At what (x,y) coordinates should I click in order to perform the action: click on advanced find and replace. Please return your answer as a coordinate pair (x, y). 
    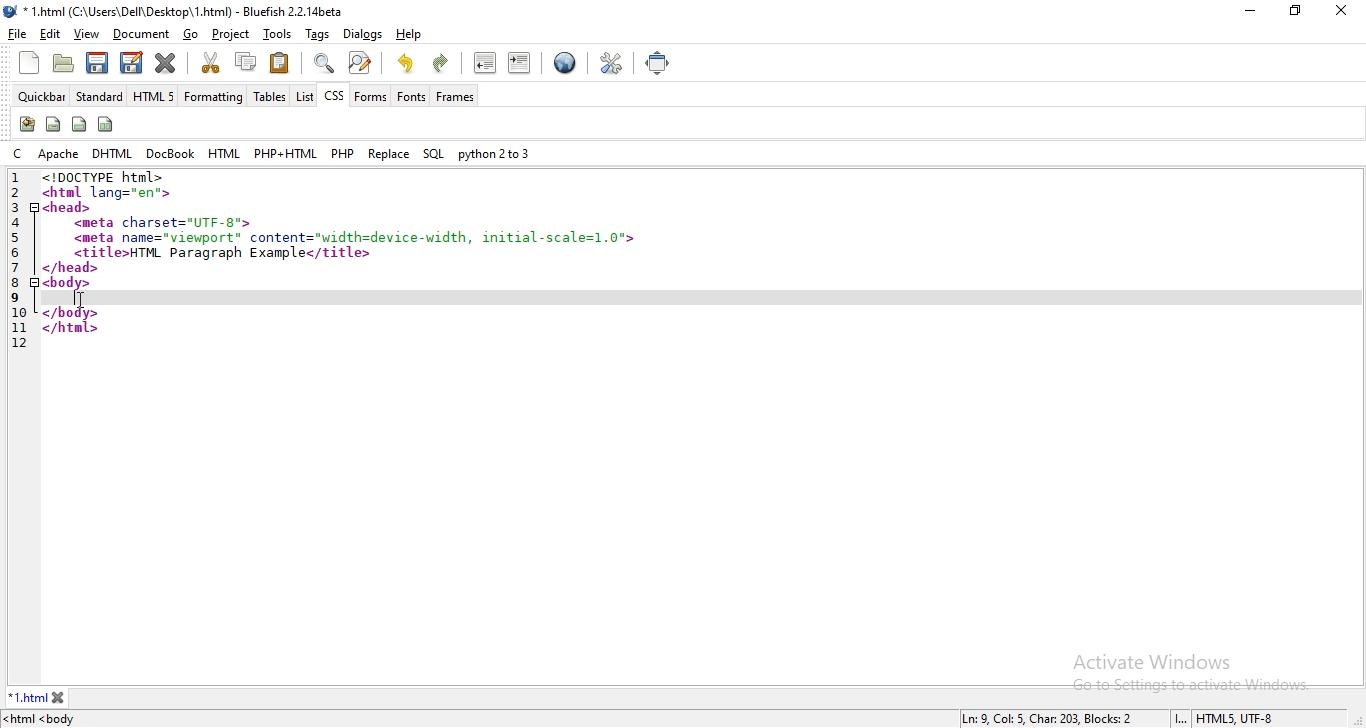
    Looking at the image, I should click on (362, 63).